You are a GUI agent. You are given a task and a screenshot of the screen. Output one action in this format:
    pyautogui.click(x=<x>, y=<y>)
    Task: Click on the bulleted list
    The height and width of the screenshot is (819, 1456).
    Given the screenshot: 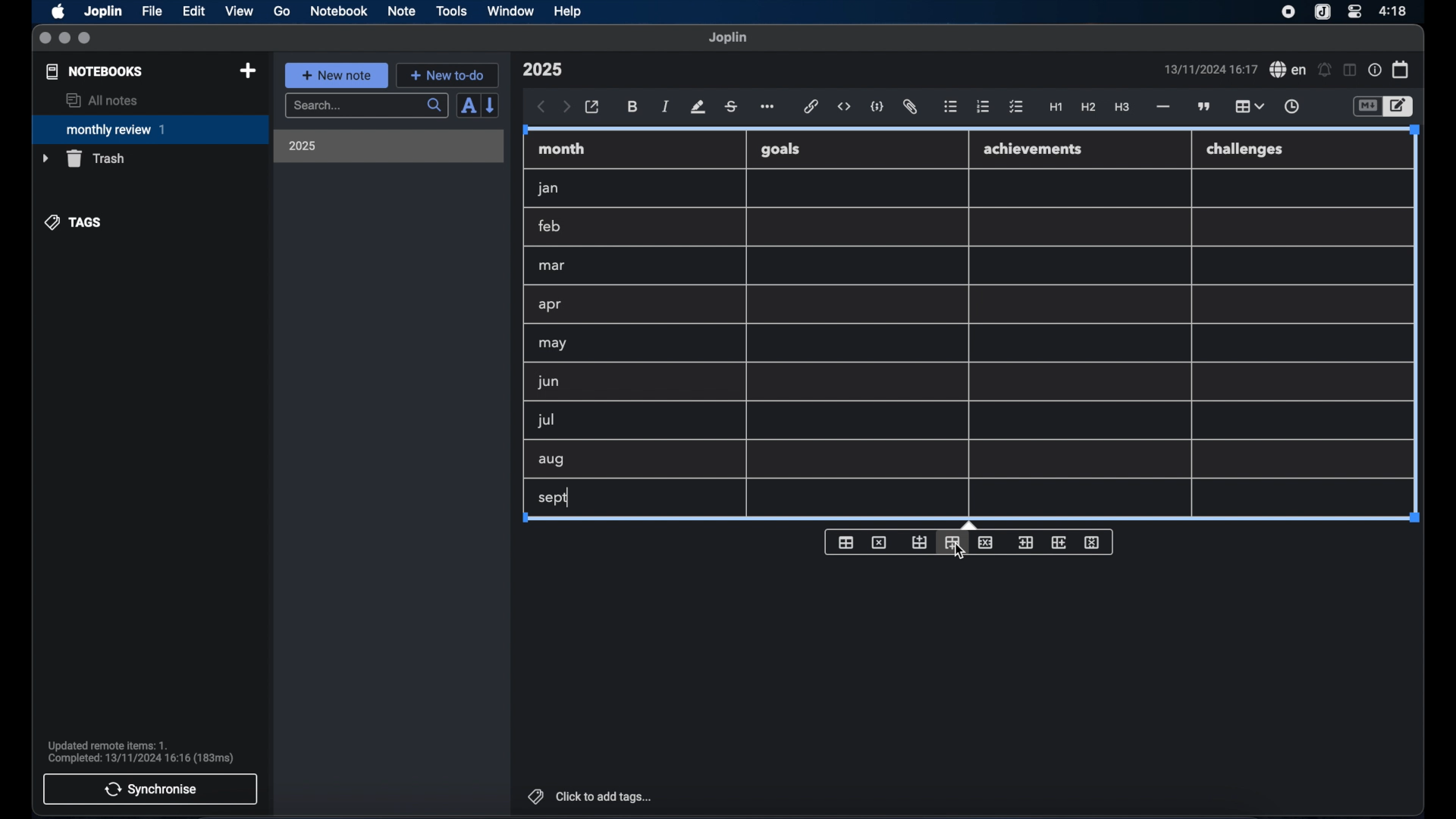 What is the action you would take?
    pyautogui.click(x=950, y=107)
    